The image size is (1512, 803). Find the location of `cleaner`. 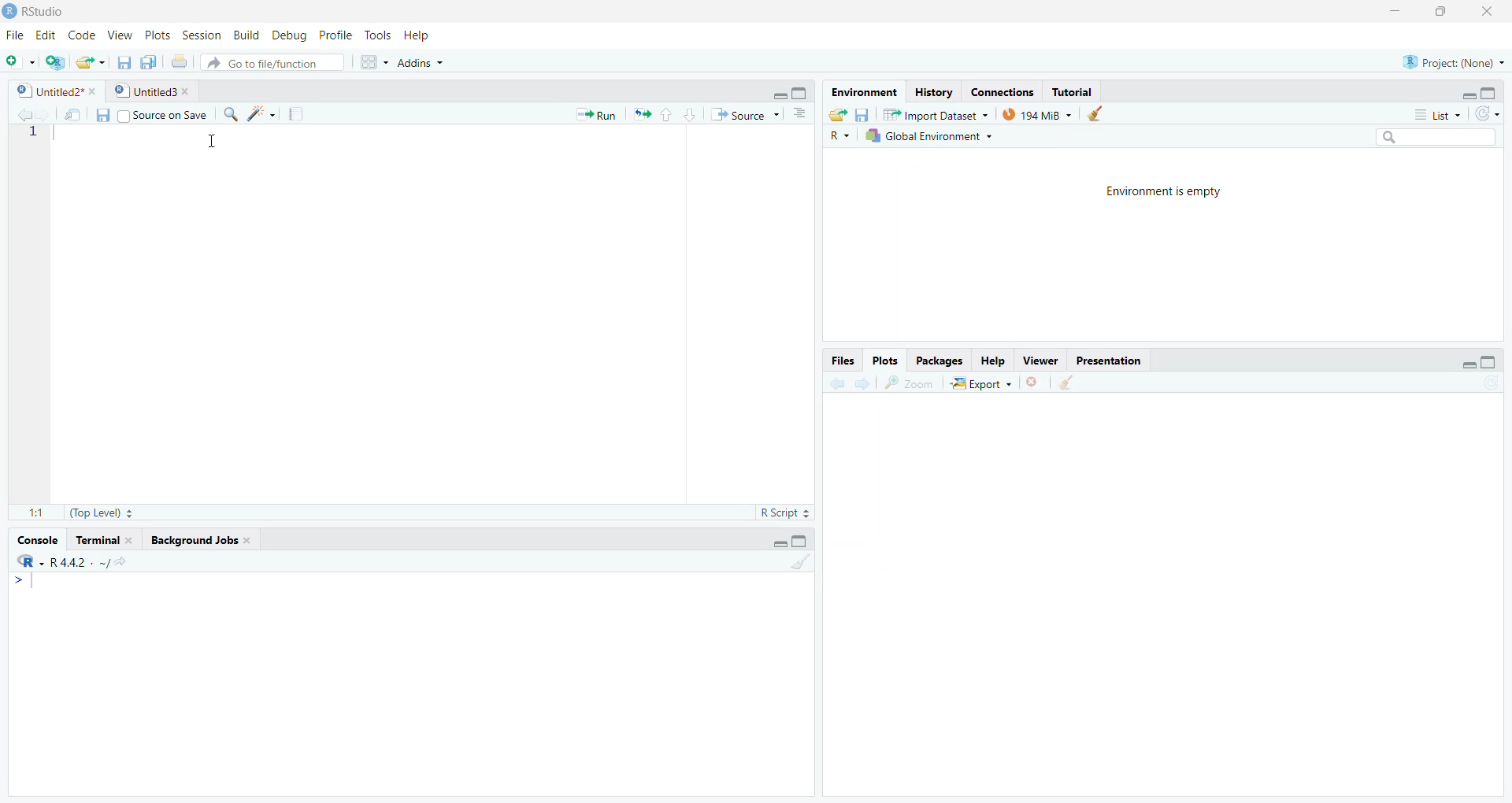

cleaner is located at coordinates (1067, 383).